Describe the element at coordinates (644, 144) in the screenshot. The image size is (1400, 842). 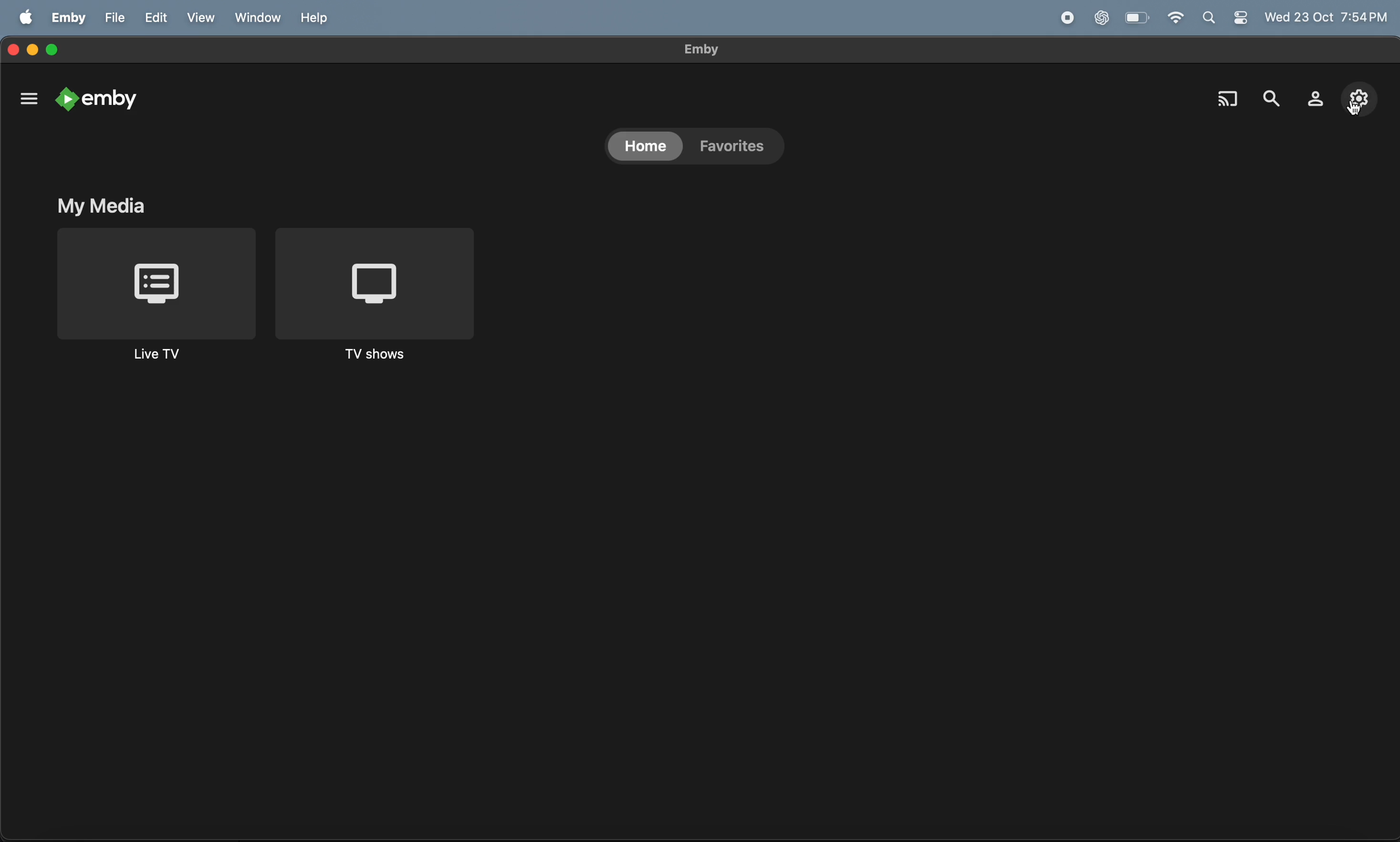
I see `home` at that location.